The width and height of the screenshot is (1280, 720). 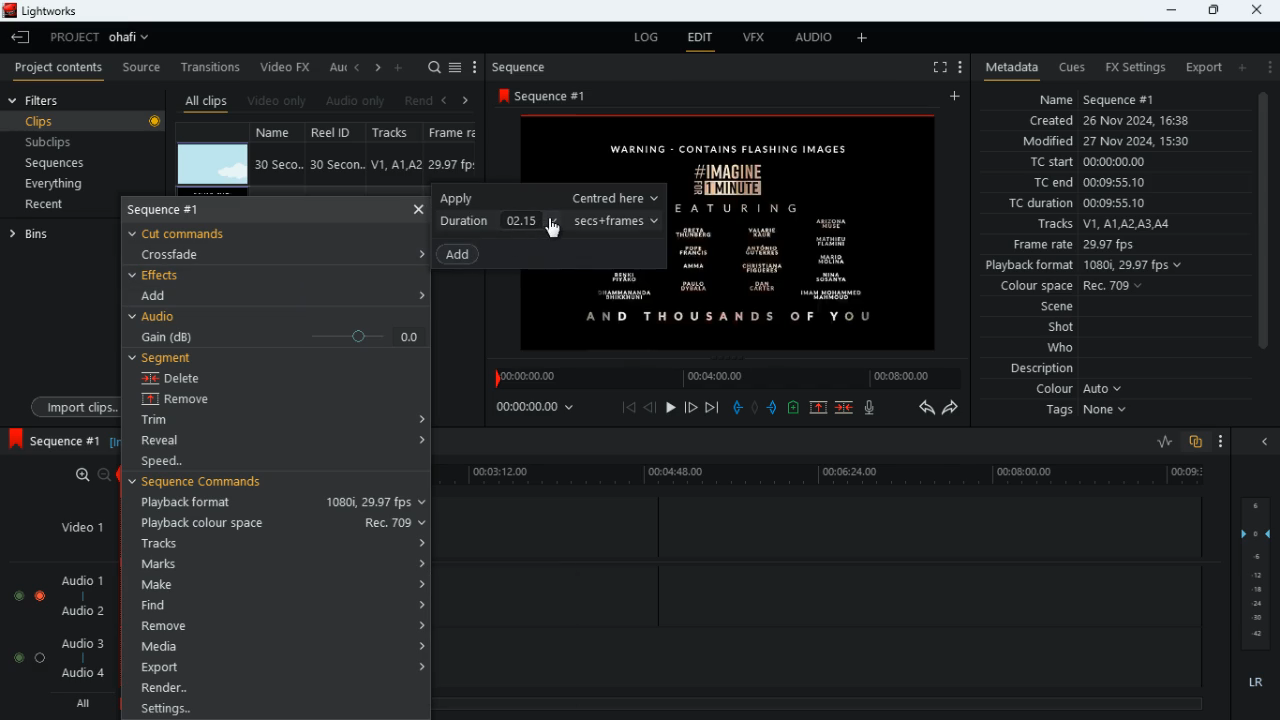 What do you see at coordinates (1091, 411) in the screenshot?
I see `tags` at bounding box center [1091, 411].